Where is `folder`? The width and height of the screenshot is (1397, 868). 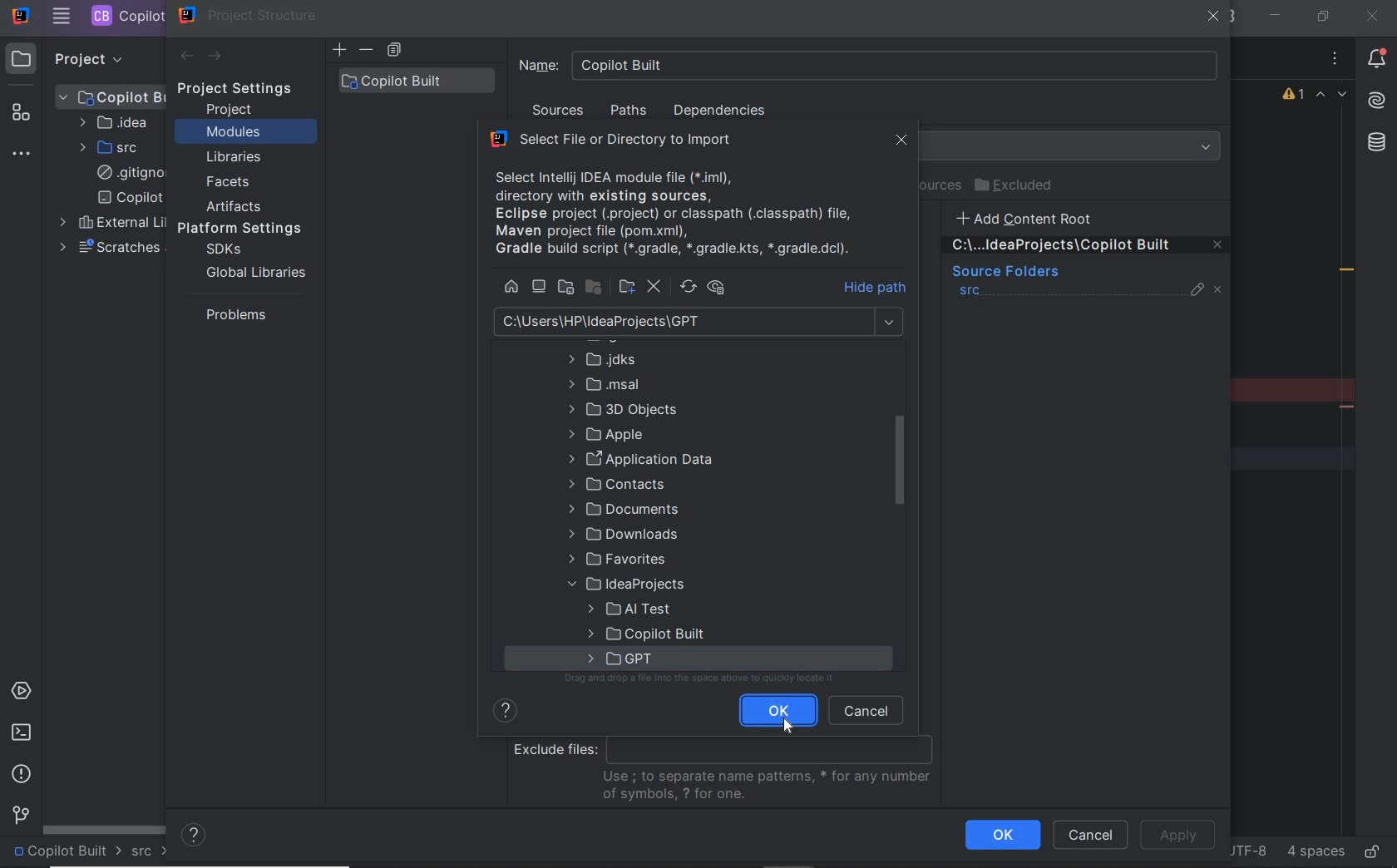
folder is located at coordinates (616, 483).